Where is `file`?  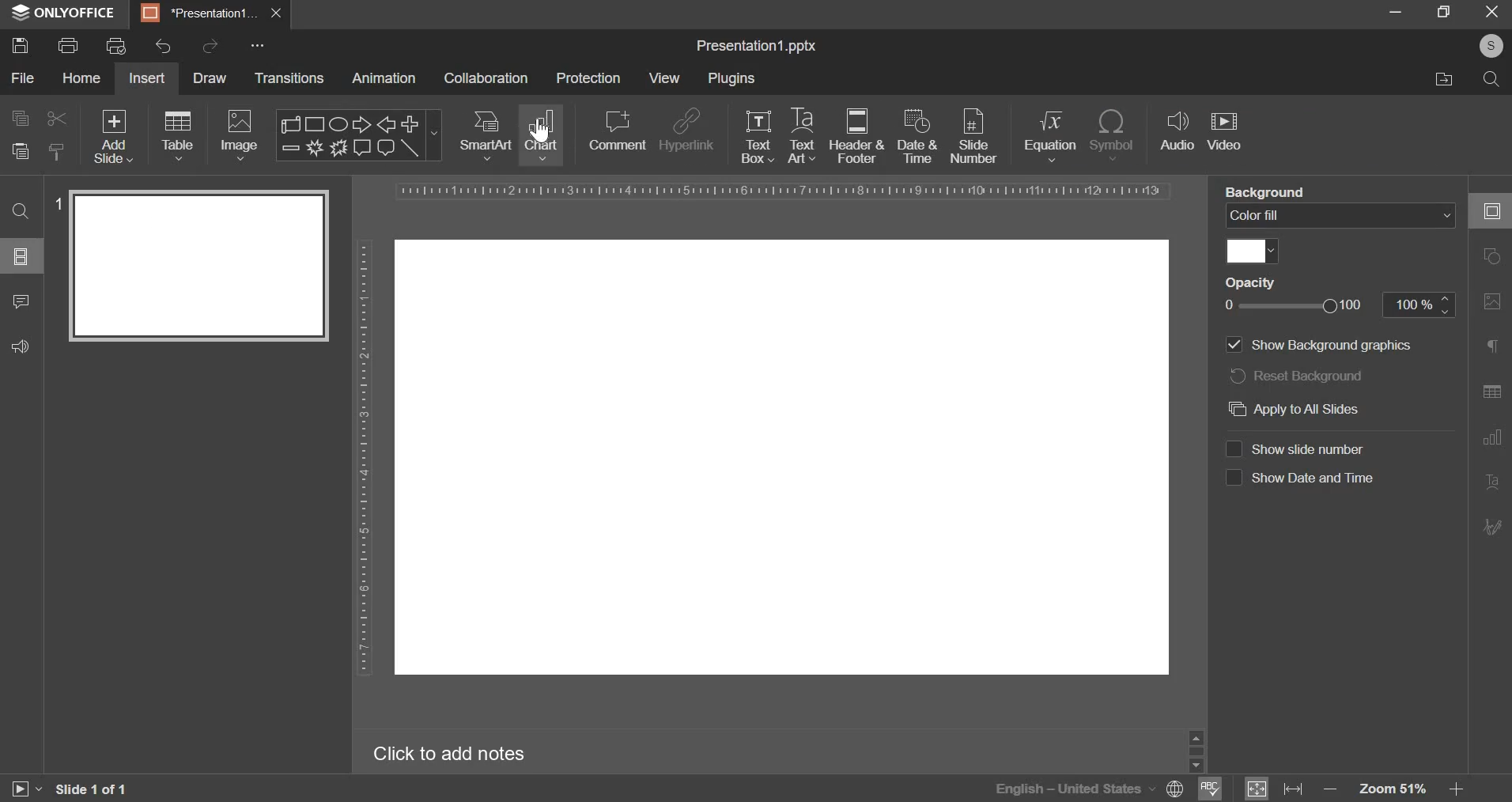
file is located at coordinates (22, 78).